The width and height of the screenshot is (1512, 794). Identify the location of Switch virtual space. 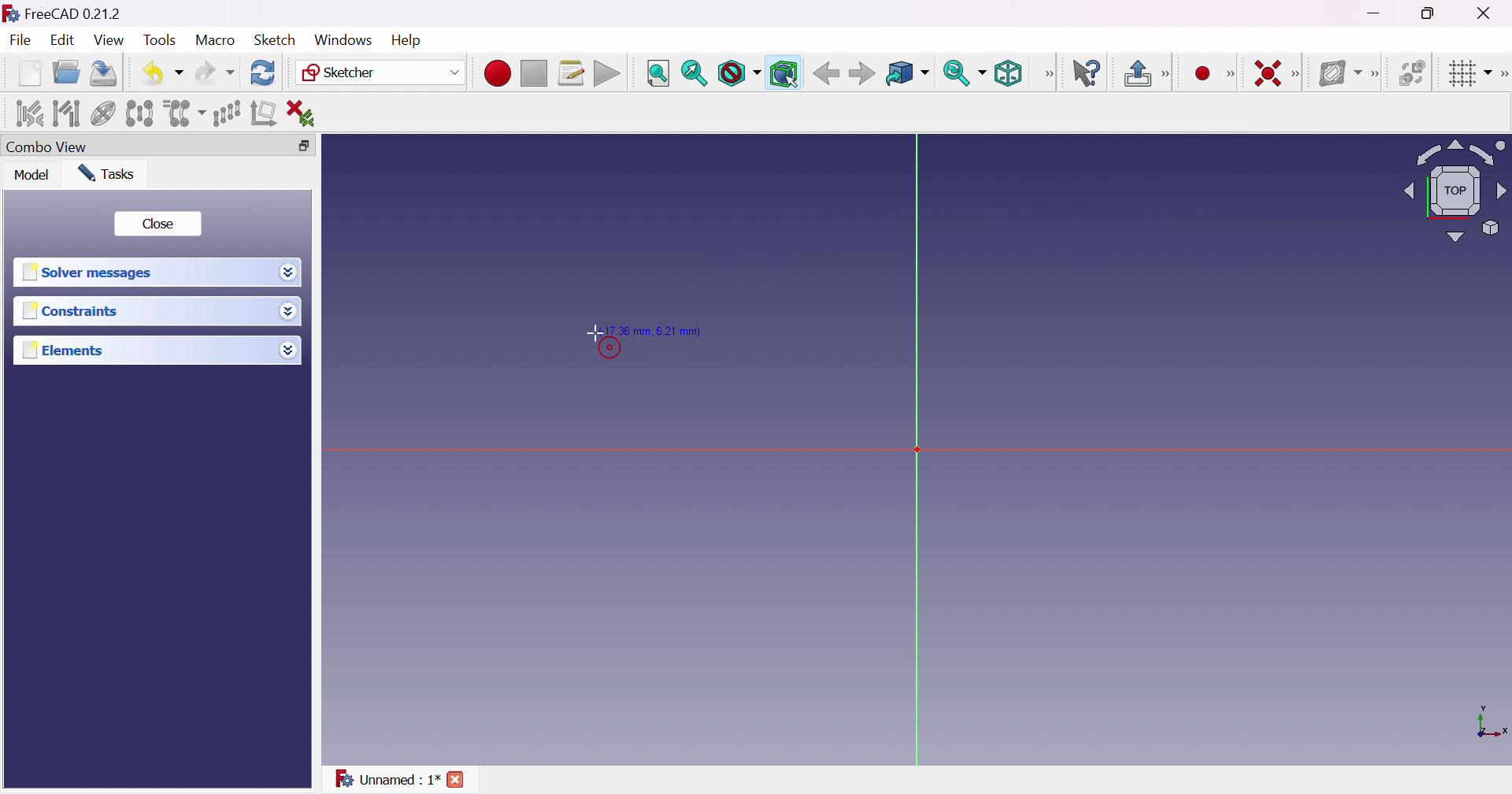
(1413, 72).